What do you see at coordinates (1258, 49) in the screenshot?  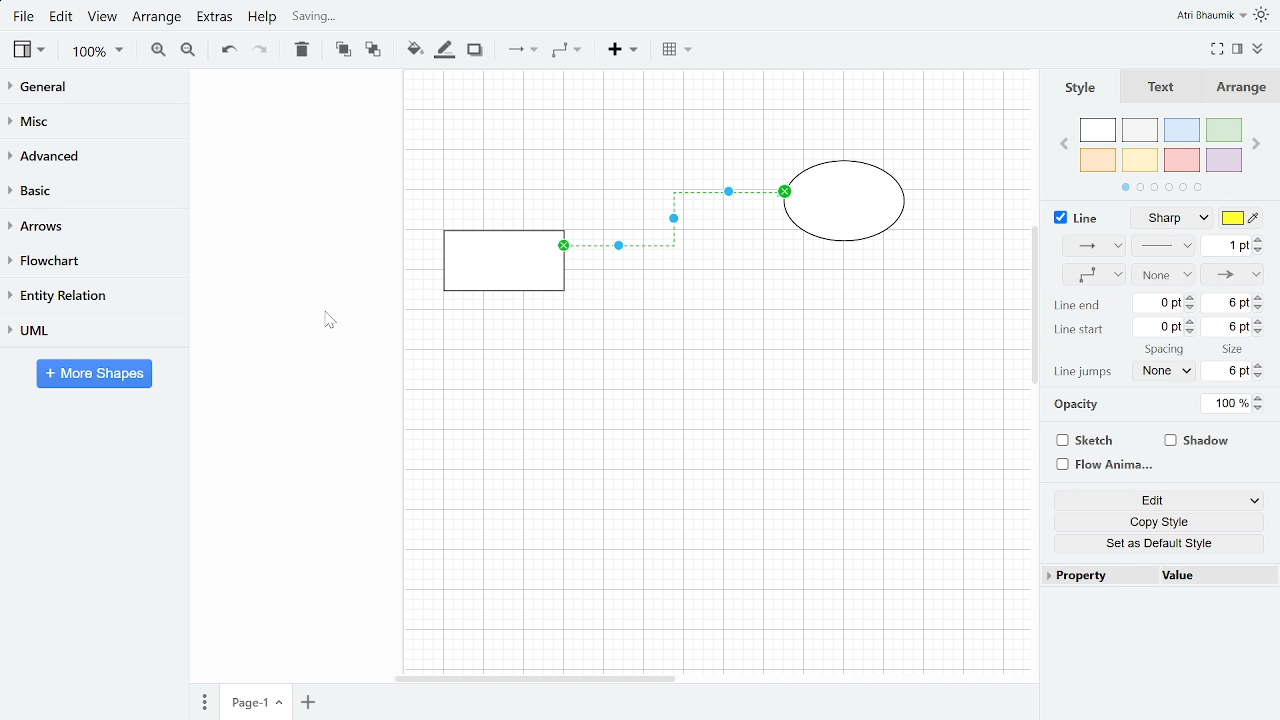 I see `Collapse` at bounding box center [1258, 49].